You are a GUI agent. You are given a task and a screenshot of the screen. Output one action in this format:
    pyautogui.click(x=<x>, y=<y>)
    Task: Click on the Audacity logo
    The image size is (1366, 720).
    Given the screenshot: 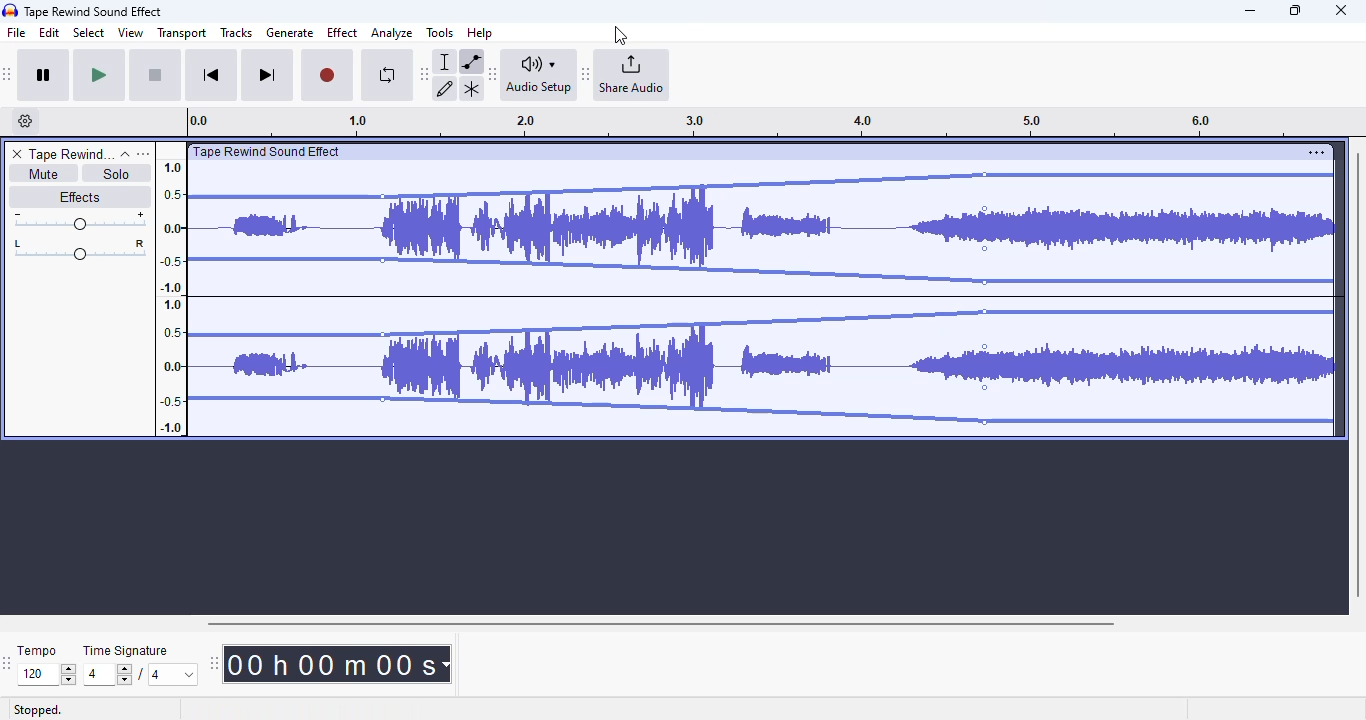 What is the action you would take?
    pyautogui.click(x=10, y=11)
    